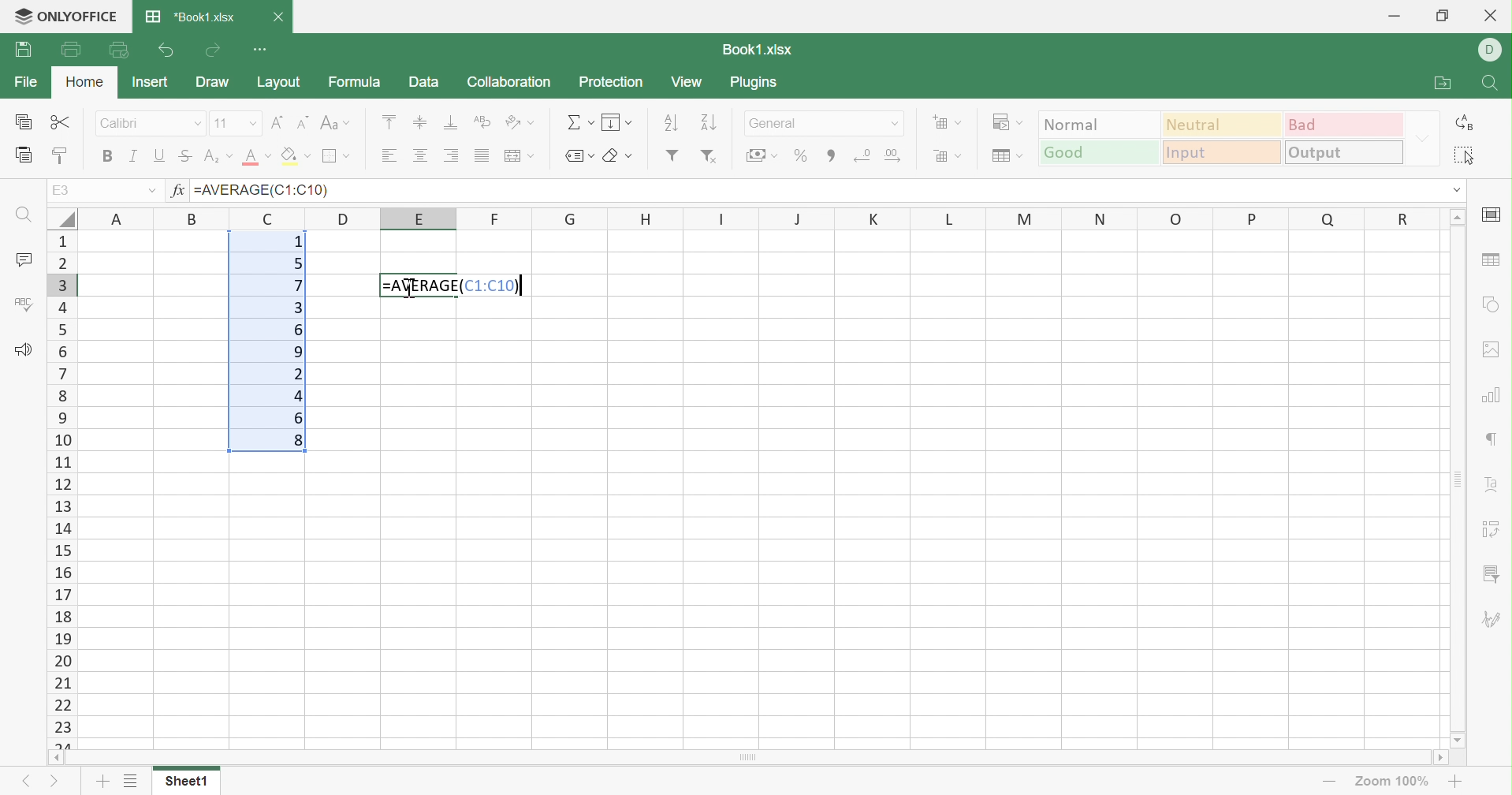 Image resolution: width=1512 pixels, height=795 pixels. Describe the element at coordinates (1100, 153) in the screenshot. I see `Good` at that location.